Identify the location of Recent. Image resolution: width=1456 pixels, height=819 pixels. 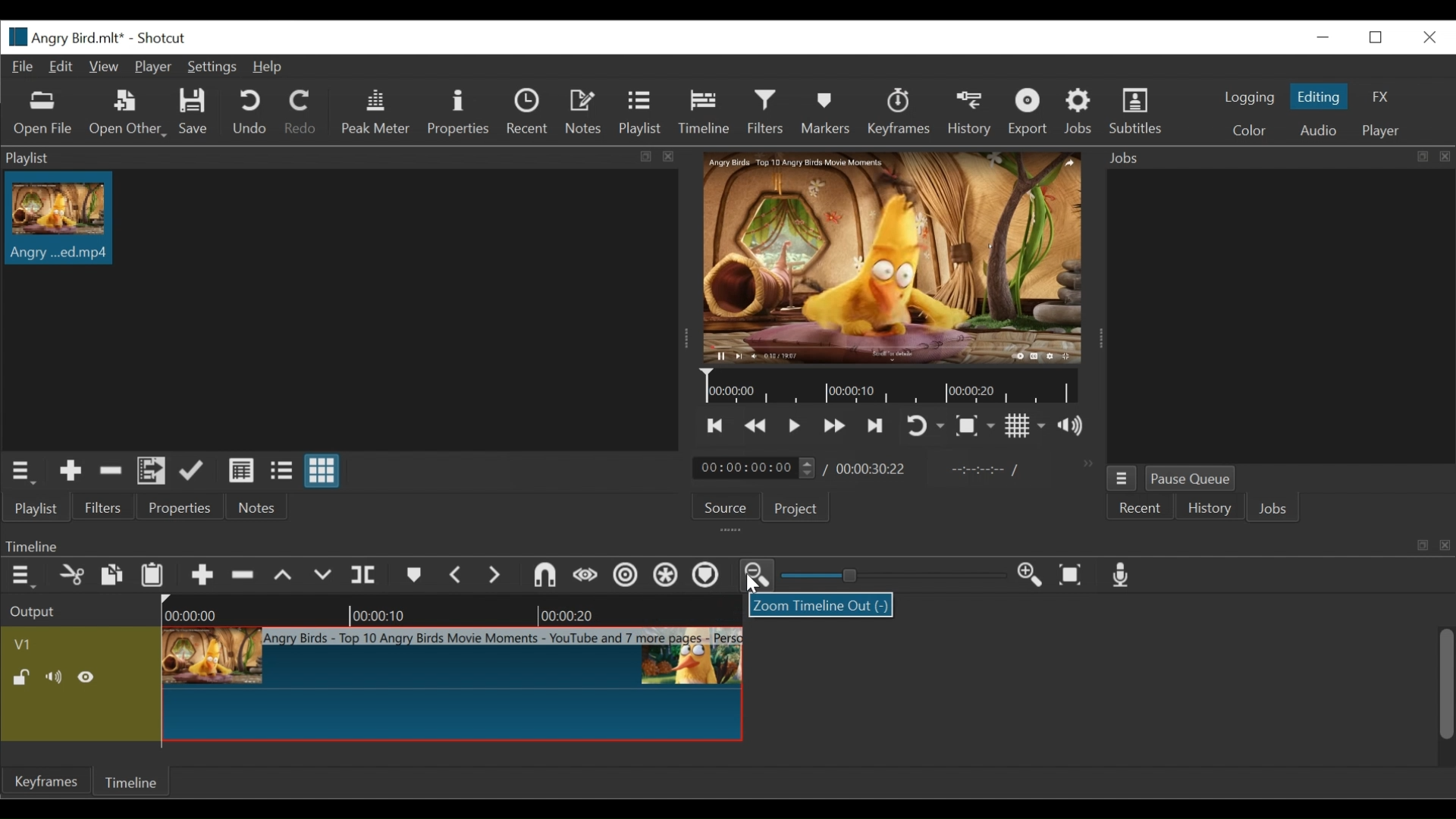
(1140, 509).